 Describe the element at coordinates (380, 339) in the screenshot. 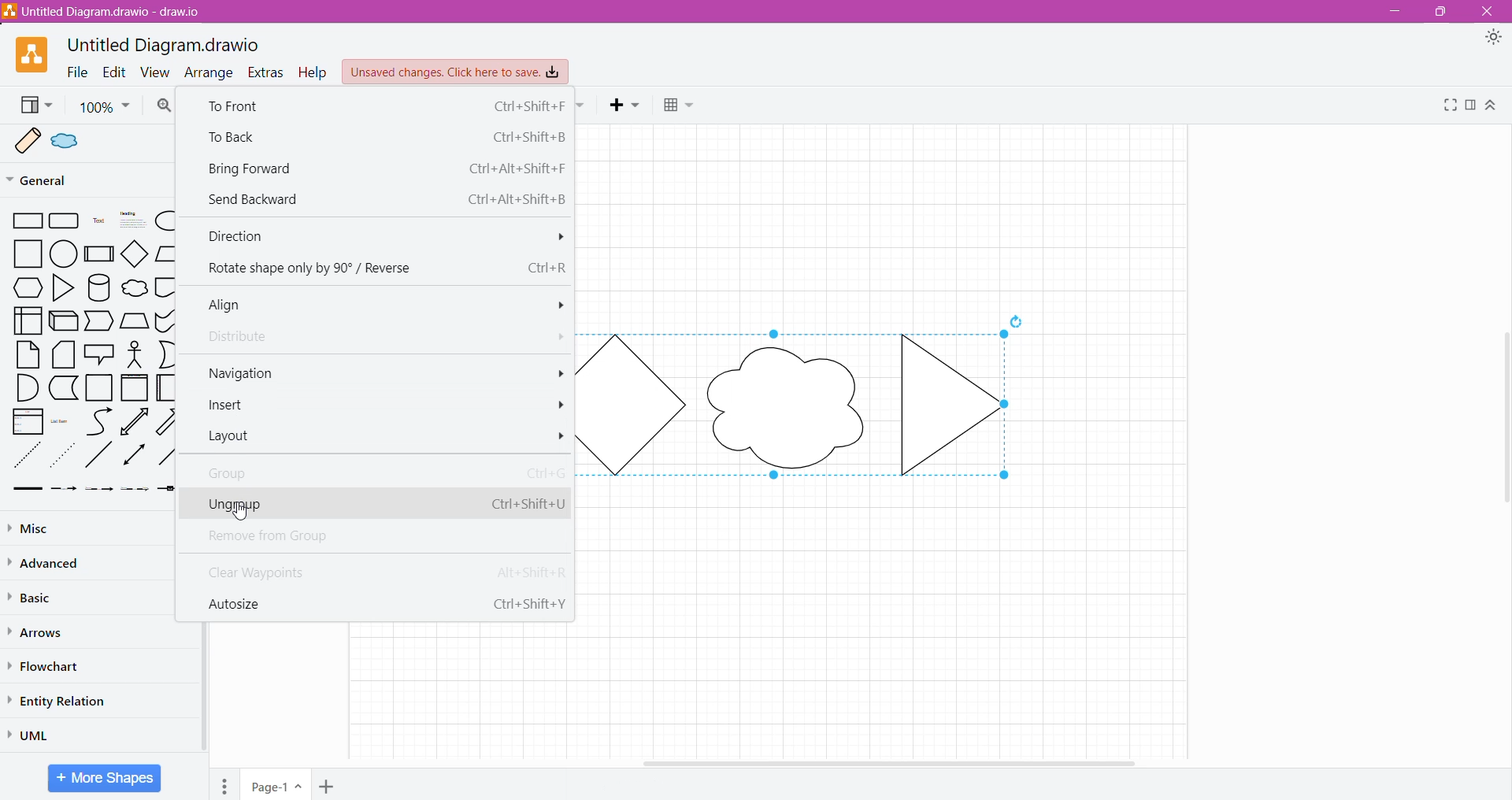

I see `Distribute` at that location.